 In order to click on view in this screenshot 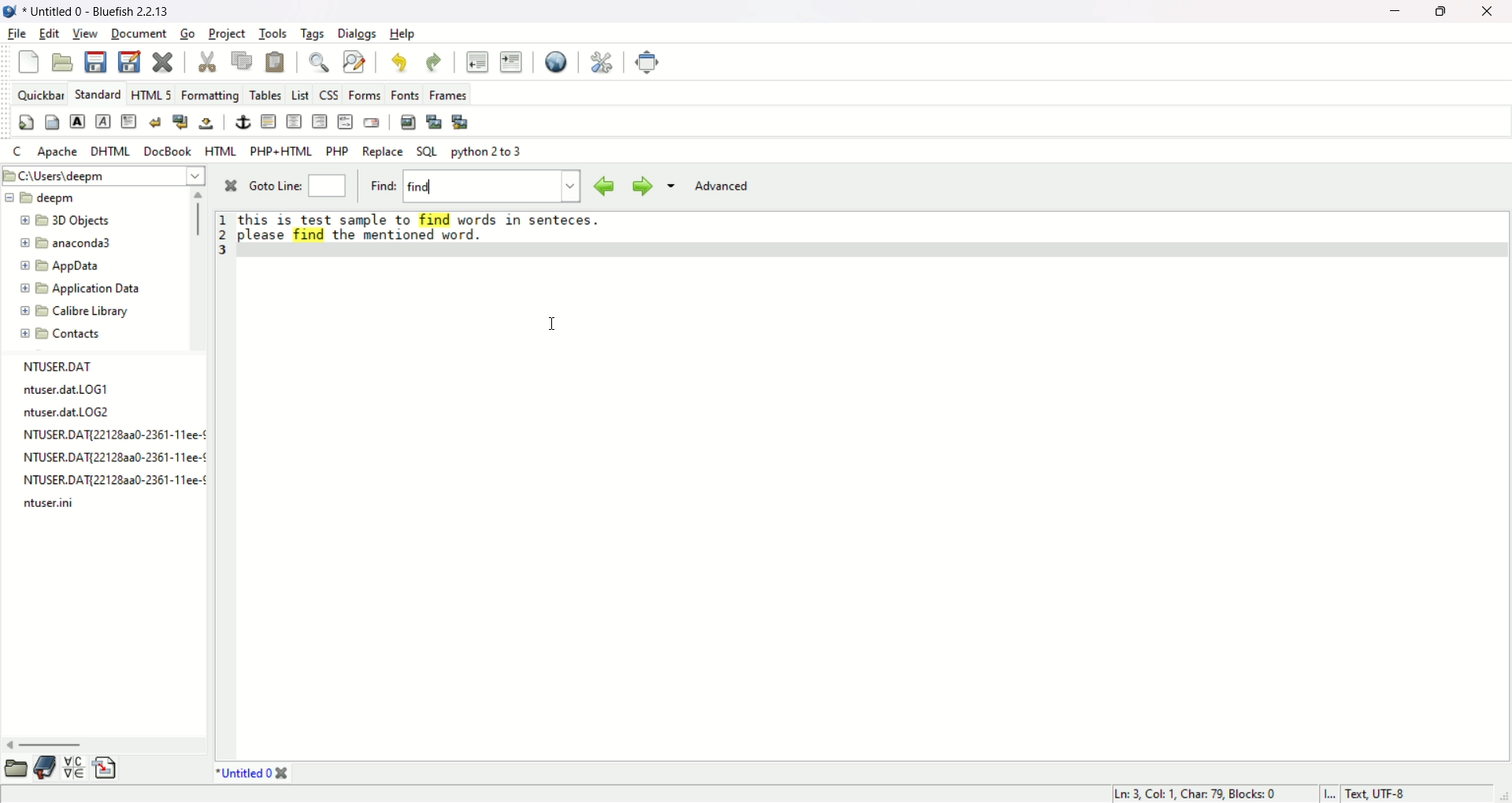, I will do `click(86, 34)`.